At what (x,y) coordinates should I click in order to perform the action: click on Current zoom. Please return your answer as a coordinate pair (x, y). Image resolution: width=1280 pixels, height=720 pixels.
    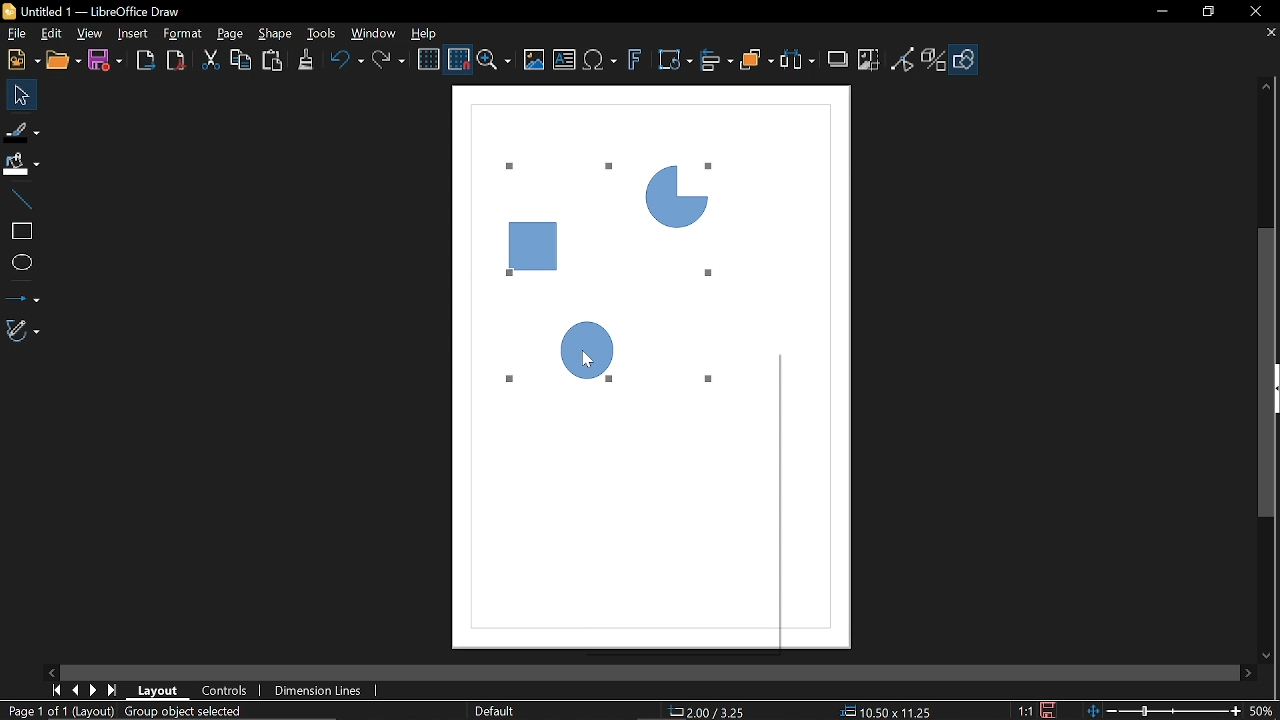
    Looking at the image, I should click on (58, 690).